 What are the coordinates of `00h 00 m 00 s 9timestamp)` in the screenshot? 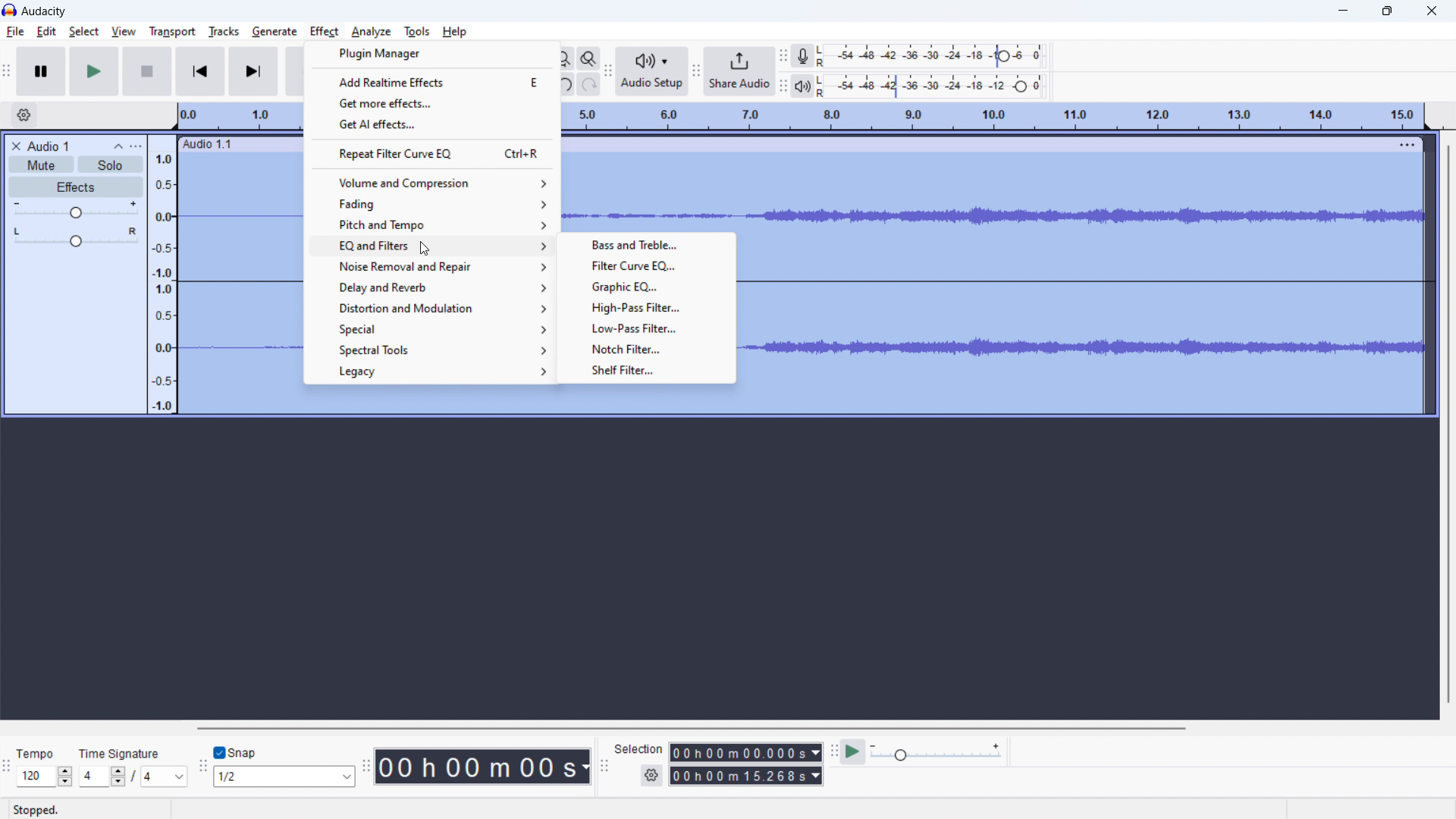 It's located at (485, 766).